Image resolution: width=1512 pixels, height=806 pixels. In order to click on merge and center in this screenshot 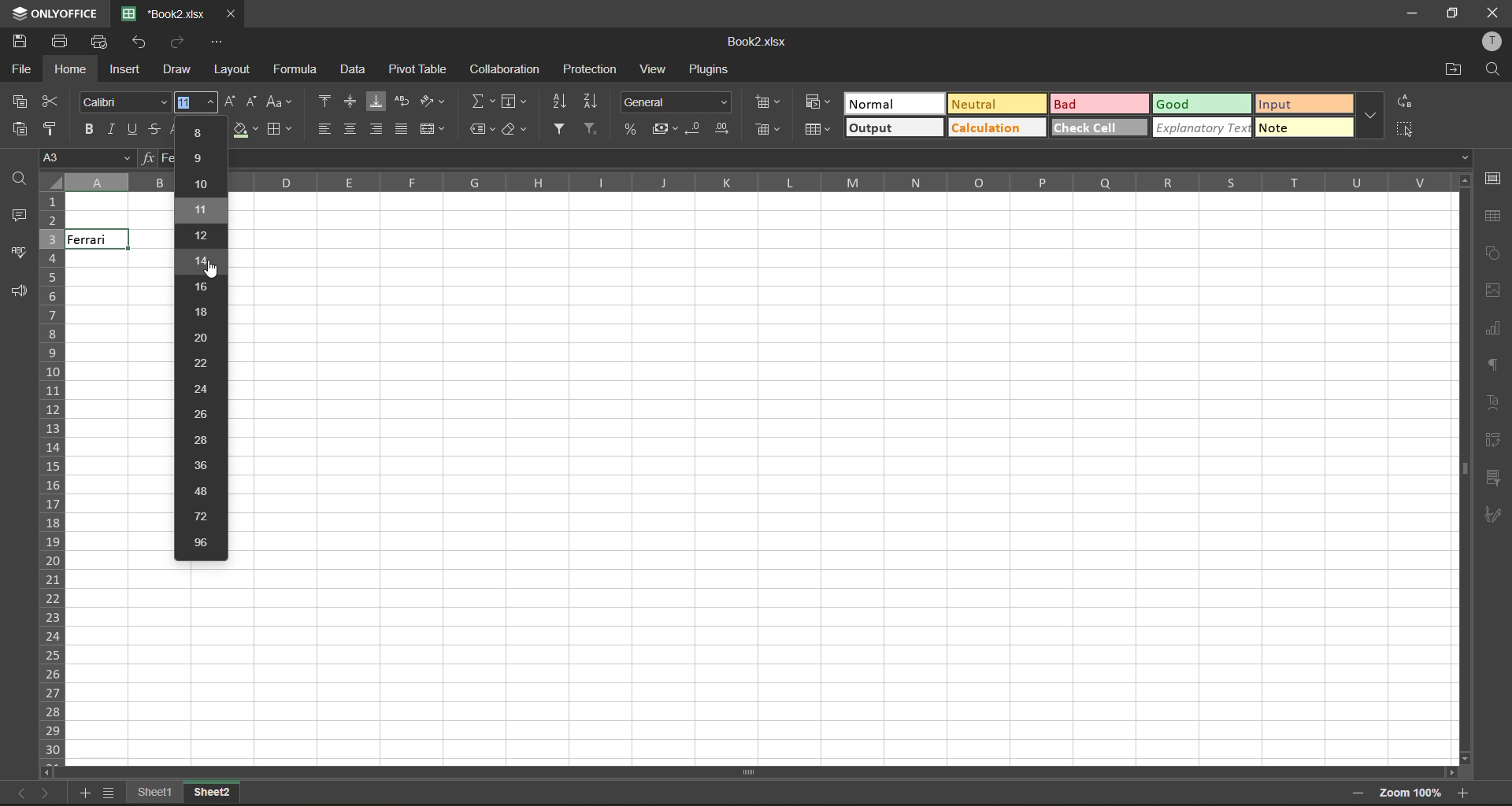, I will do `click(435, 129)`.